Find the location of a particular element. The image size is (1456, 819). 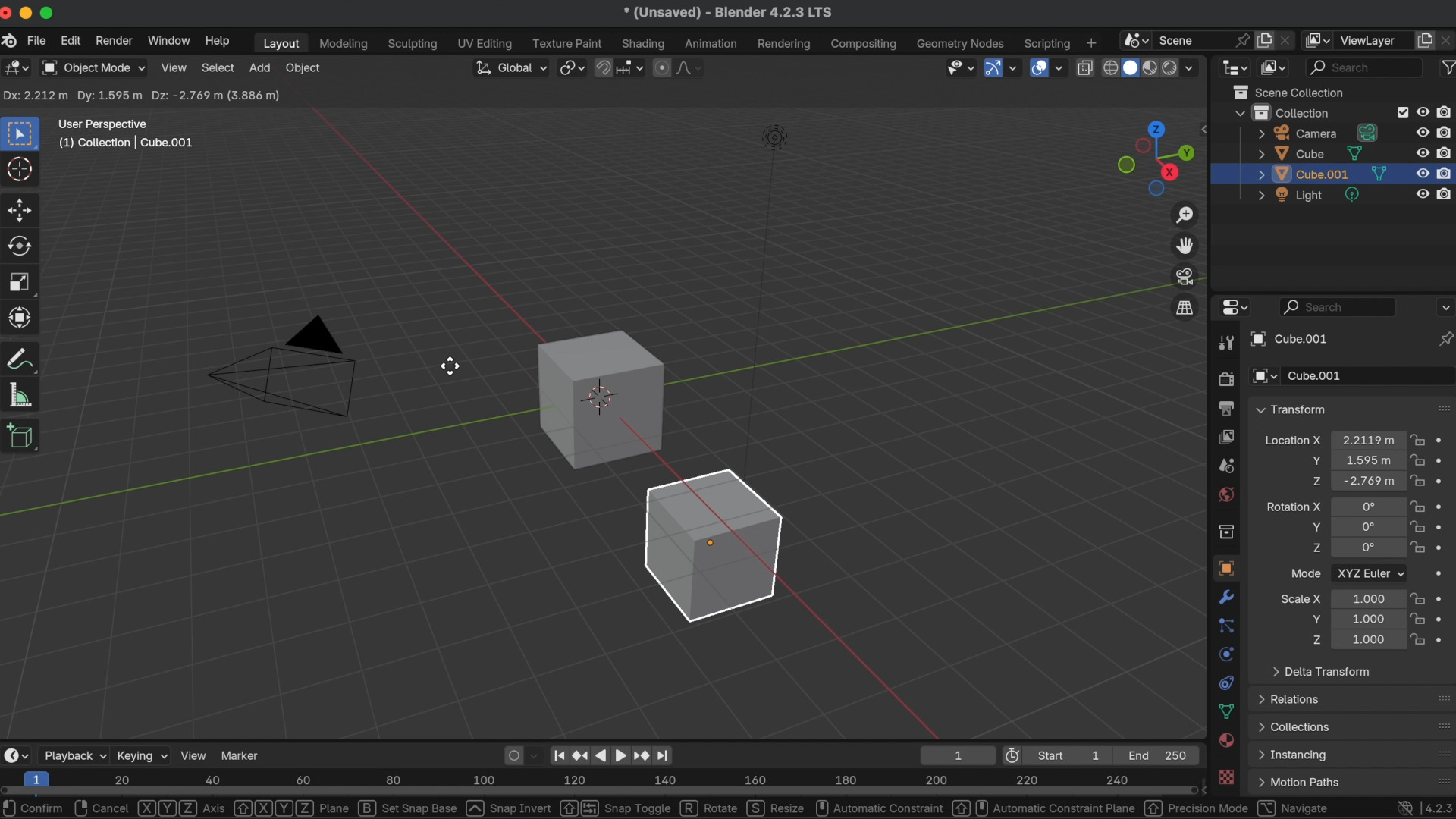

view layer is located at coordinates (1225, 436).